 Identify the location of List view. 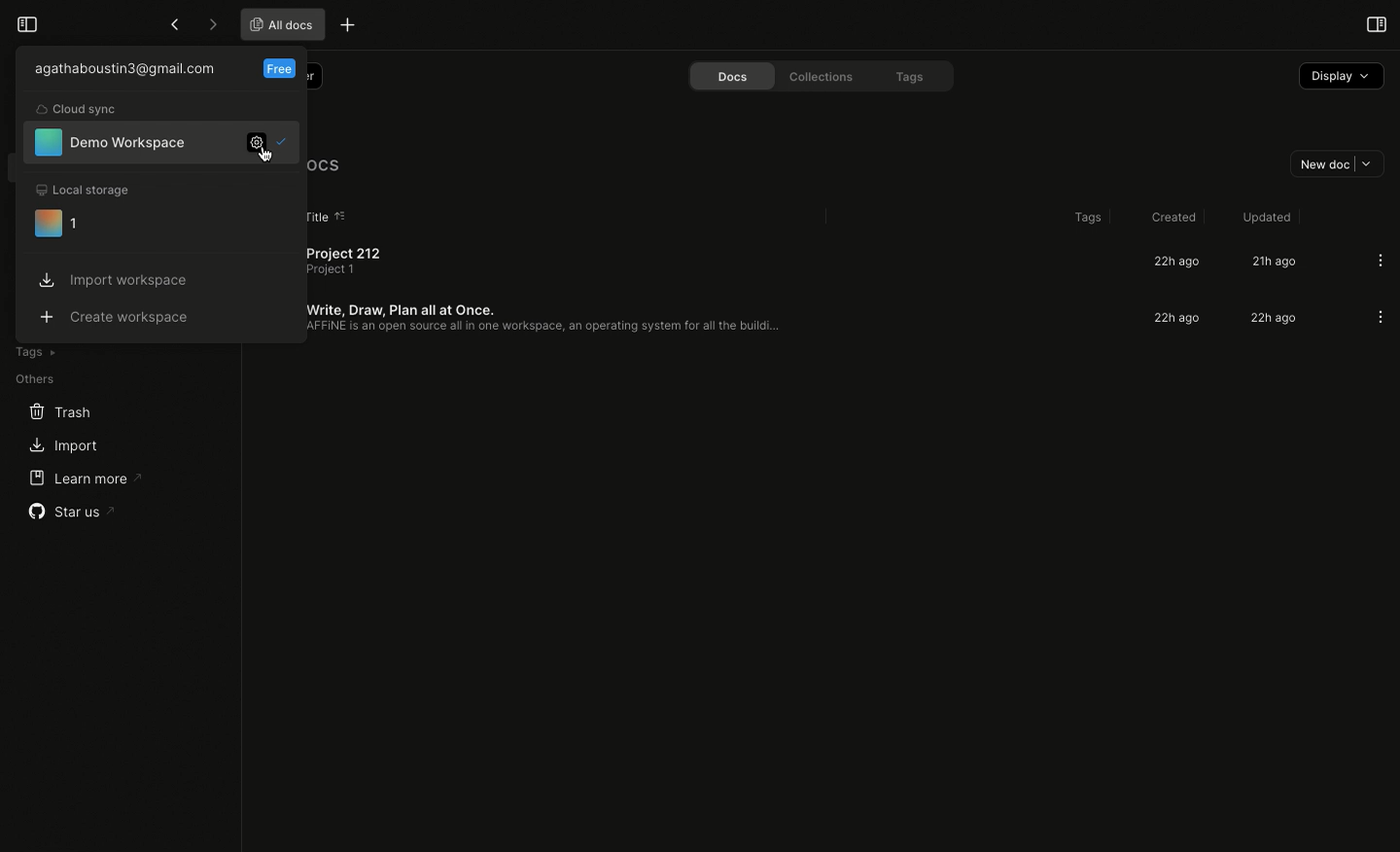
(275, 215).